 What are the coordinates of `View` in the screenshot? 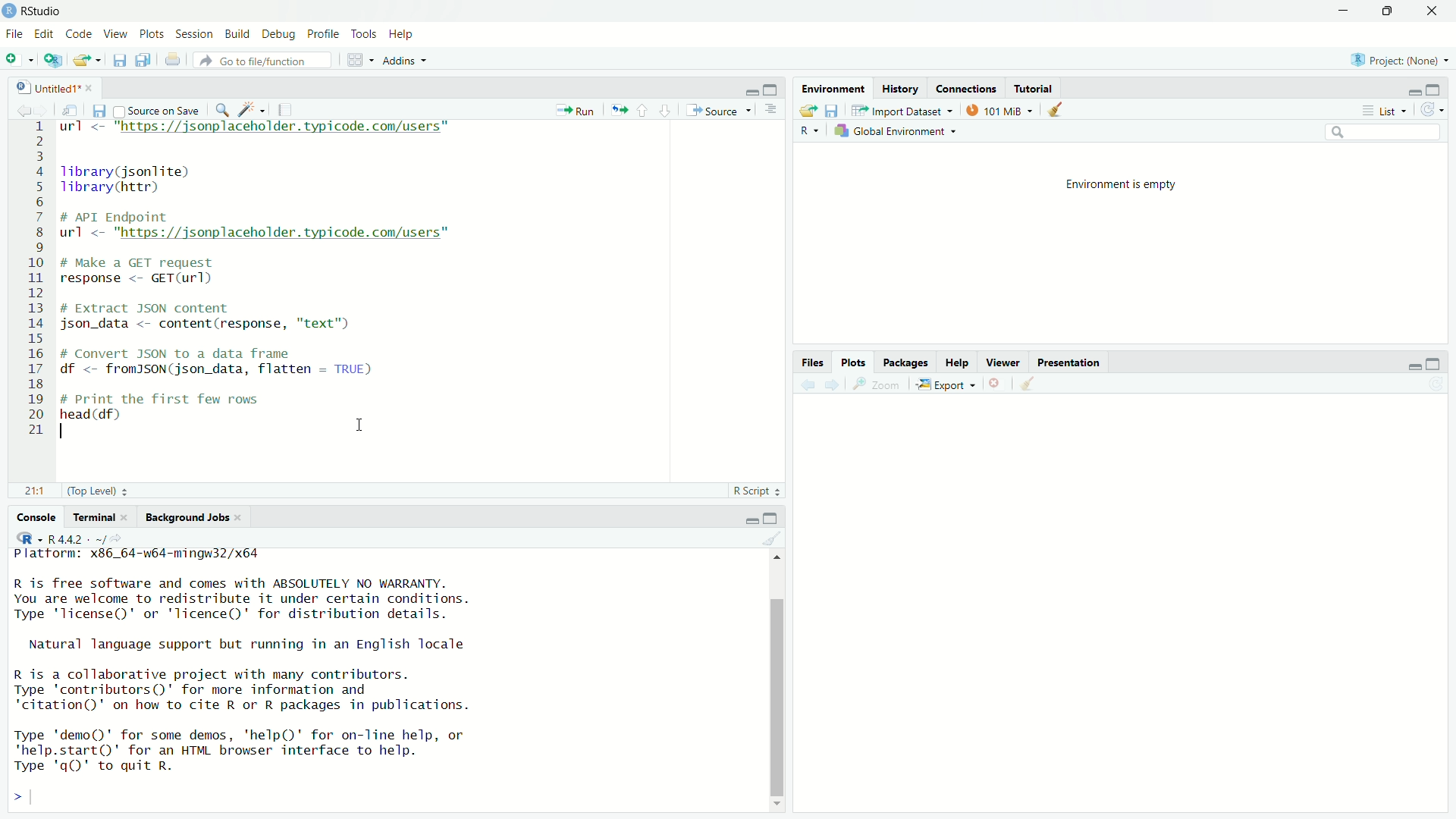 It's located at (115, 35).